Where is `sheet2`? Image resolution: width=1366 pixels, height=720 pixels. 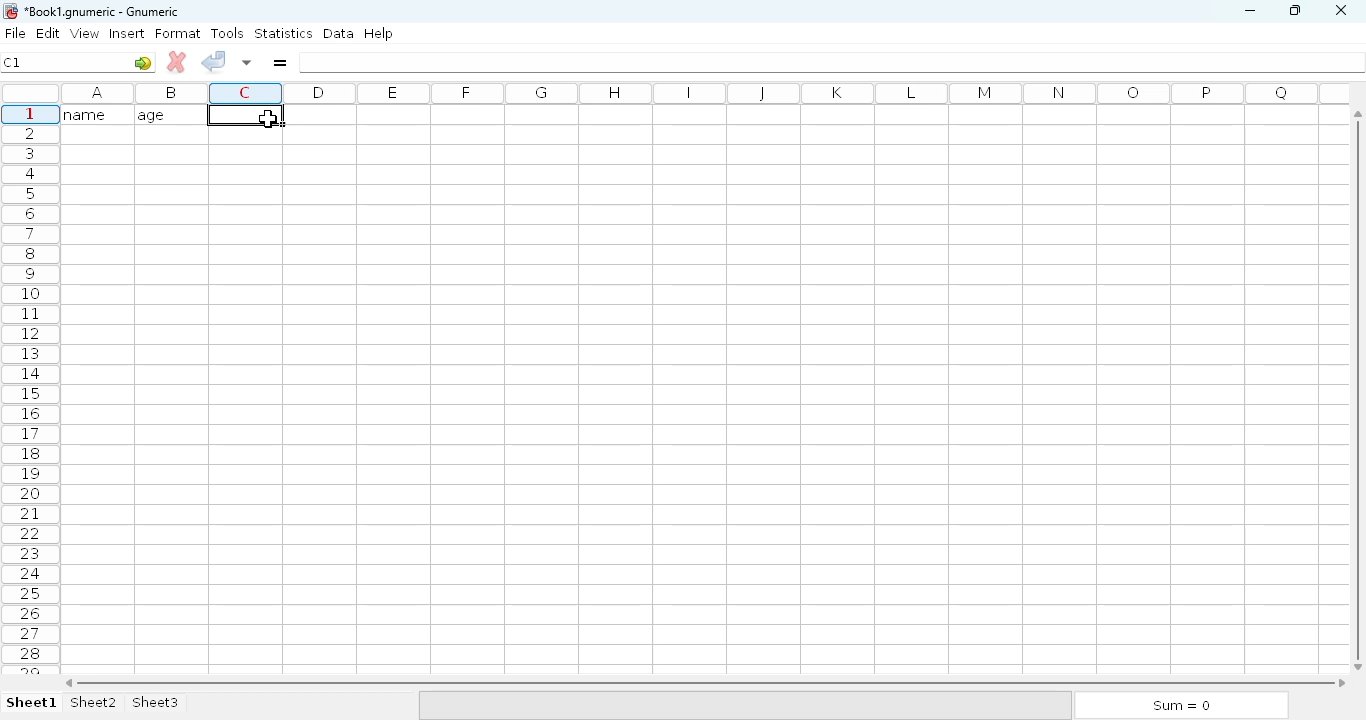
sheet2 is located at coordinates (95, 703).